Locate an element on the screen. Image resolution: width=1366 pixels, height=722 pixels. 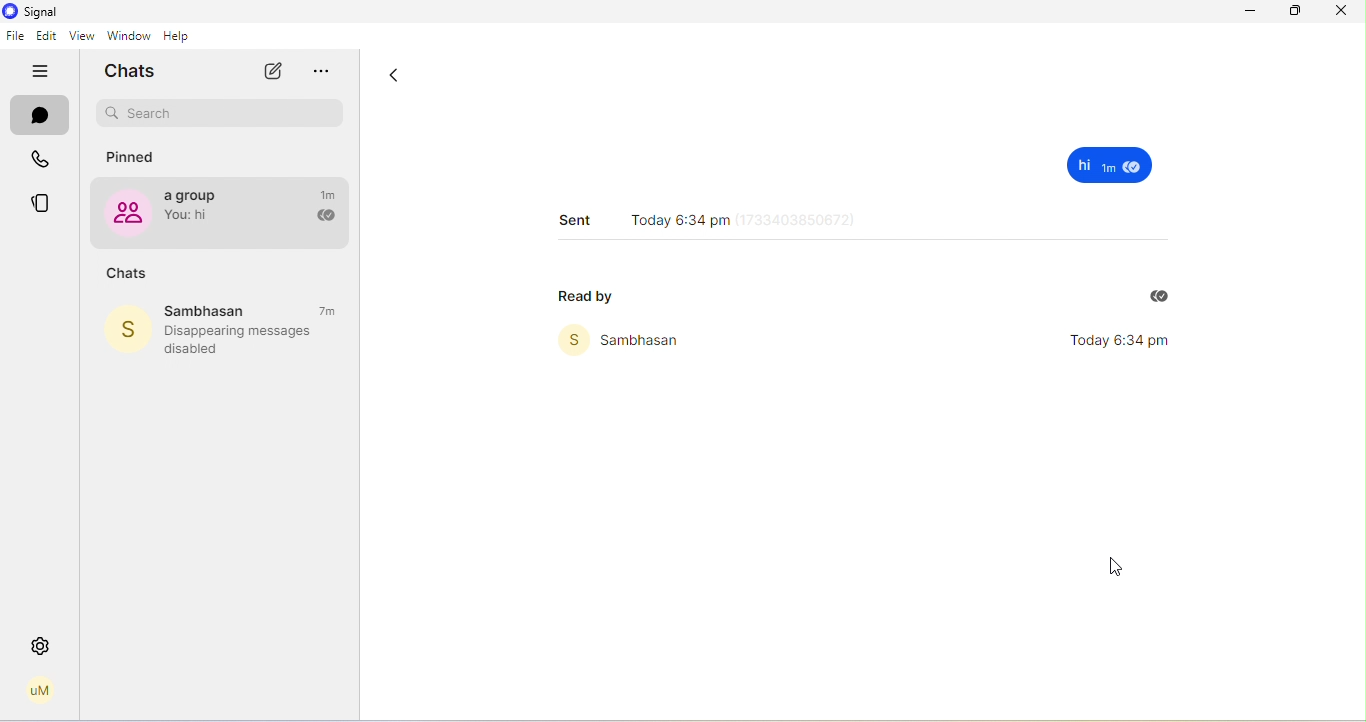
read by is located at coordinates (593, 295).